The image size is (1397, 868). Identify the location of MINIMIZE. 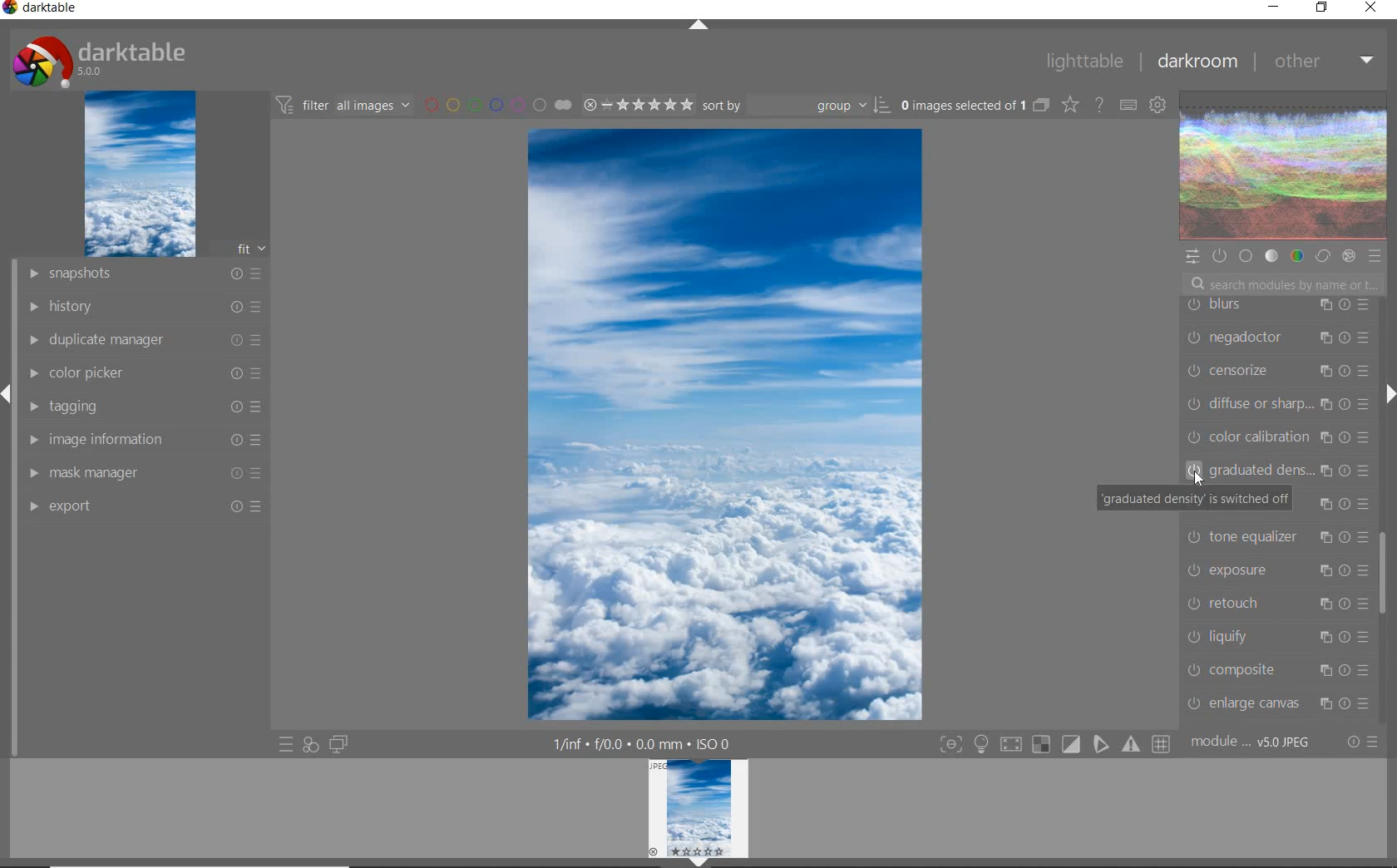
(1273, 6).